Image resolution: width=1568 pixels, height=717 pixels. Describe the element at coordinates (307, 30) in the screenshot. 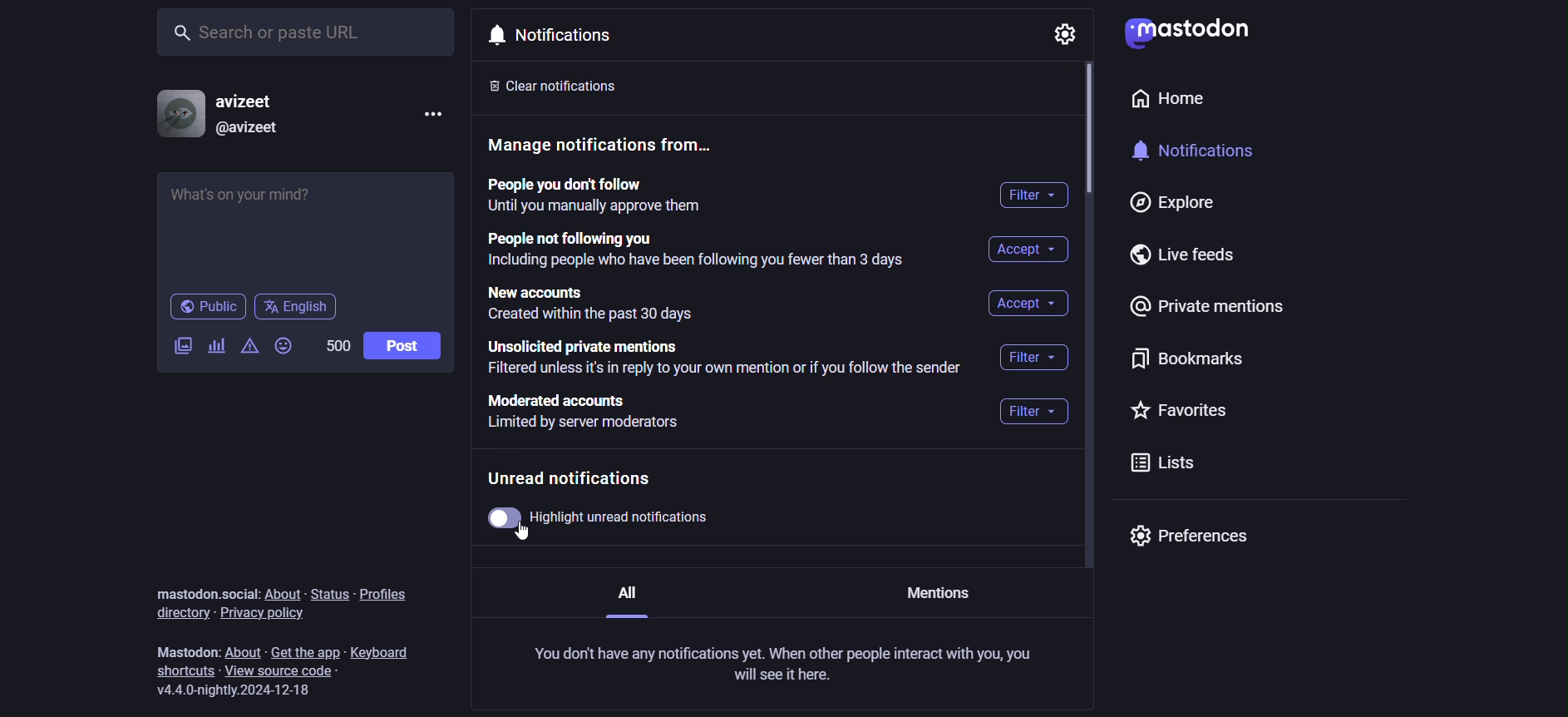

I see `search or paste URL` at that location.